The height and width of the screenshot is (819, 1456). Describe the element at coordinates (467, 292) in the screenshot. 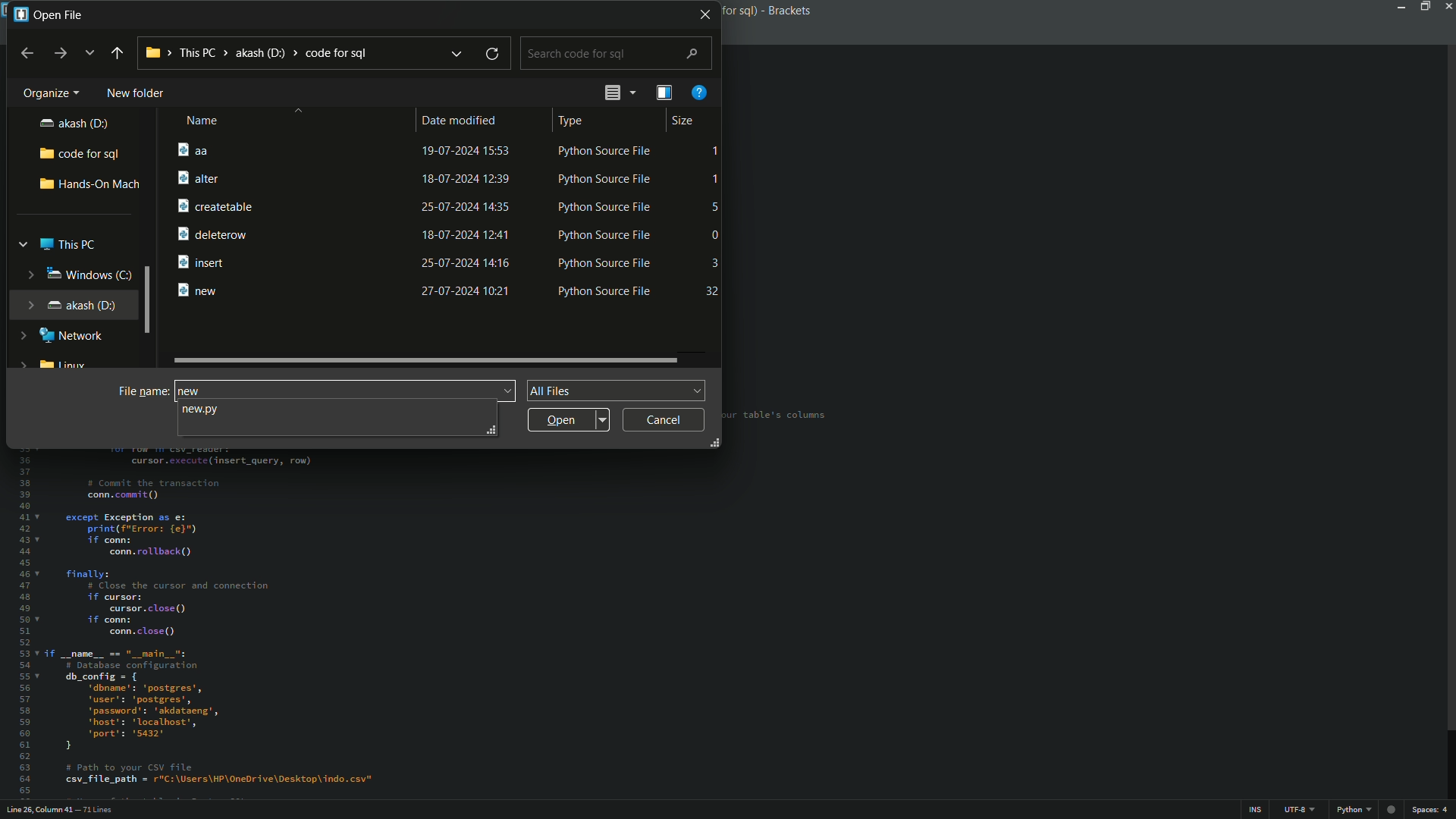

I see `27-07-2024 10:21` at that location.